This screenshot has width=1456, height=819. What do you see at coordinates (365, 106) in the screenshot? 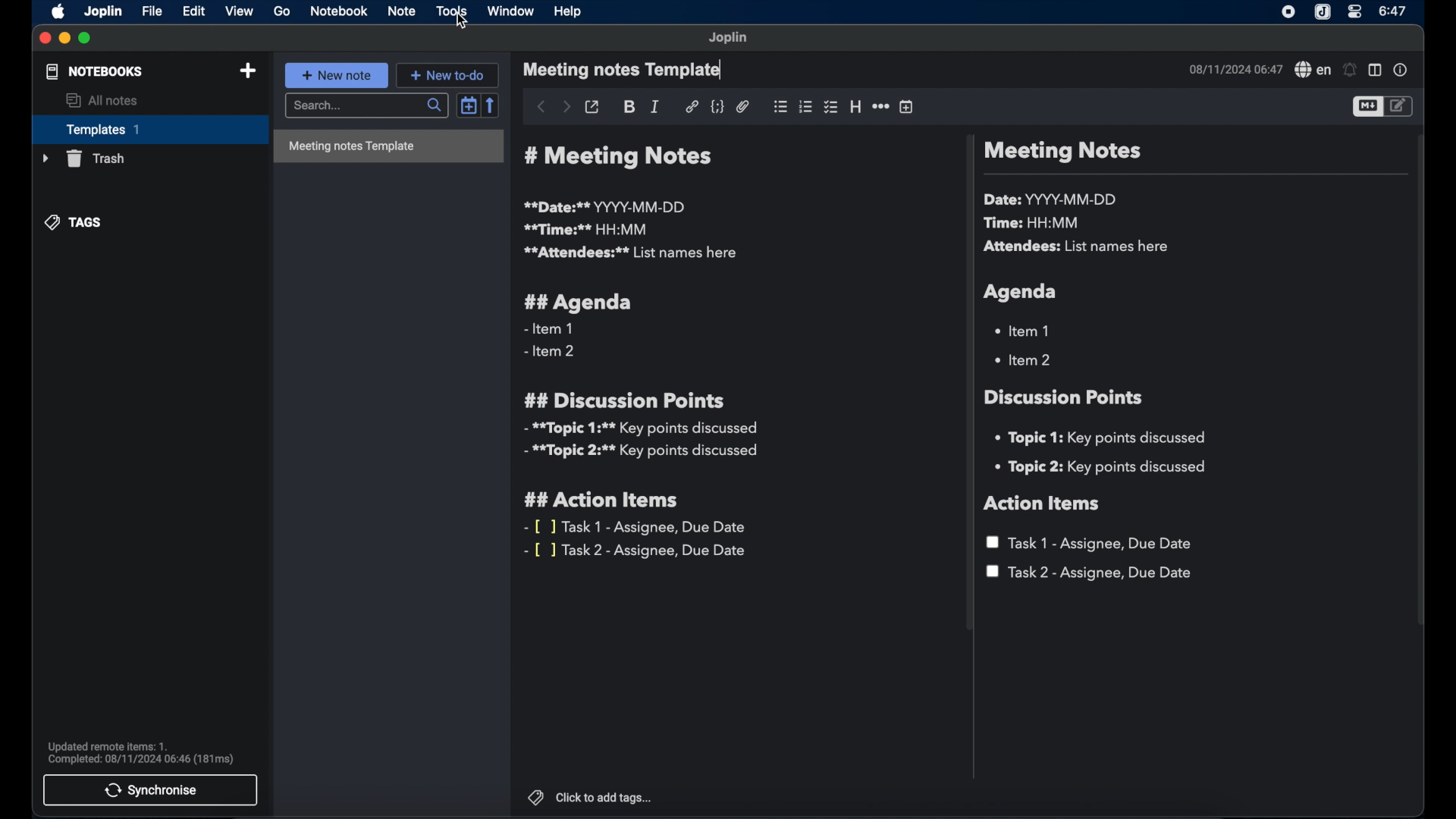
I see `search` at bounding box center [365, 106].